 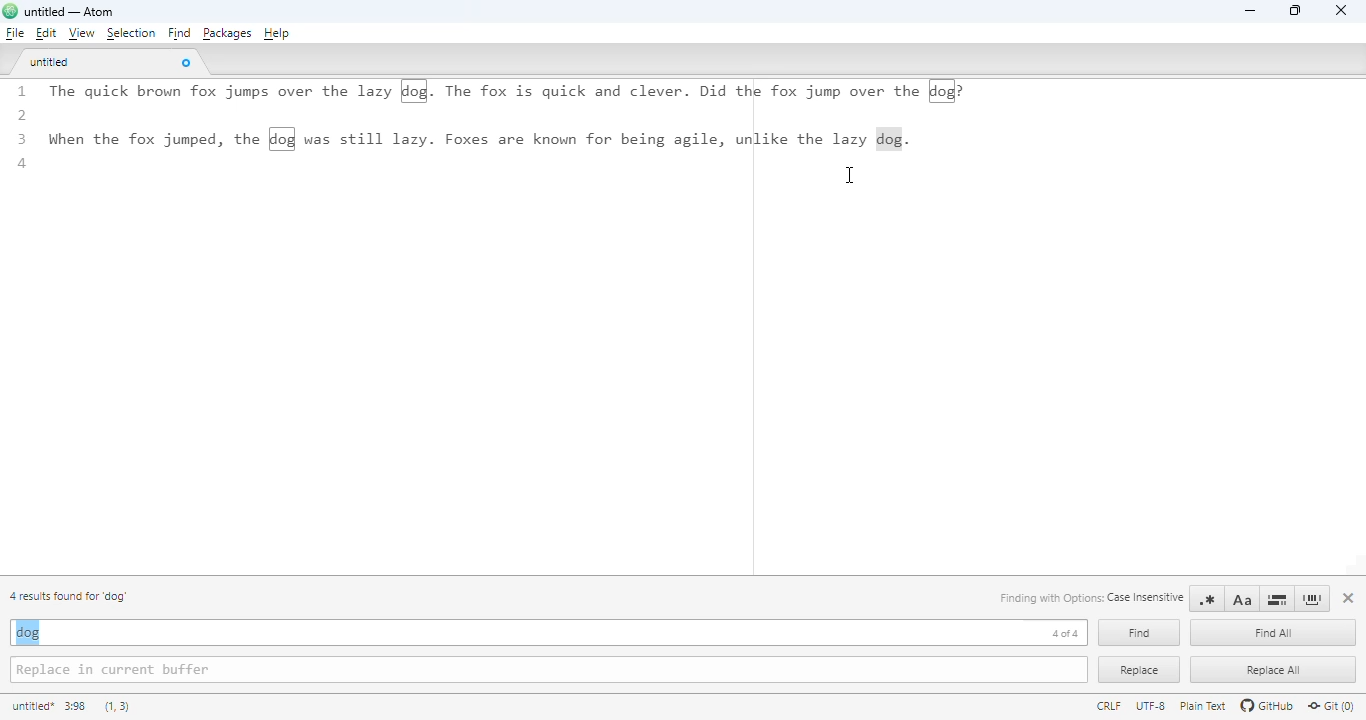 I want to click on whole word, so click(x=1313, y=599).